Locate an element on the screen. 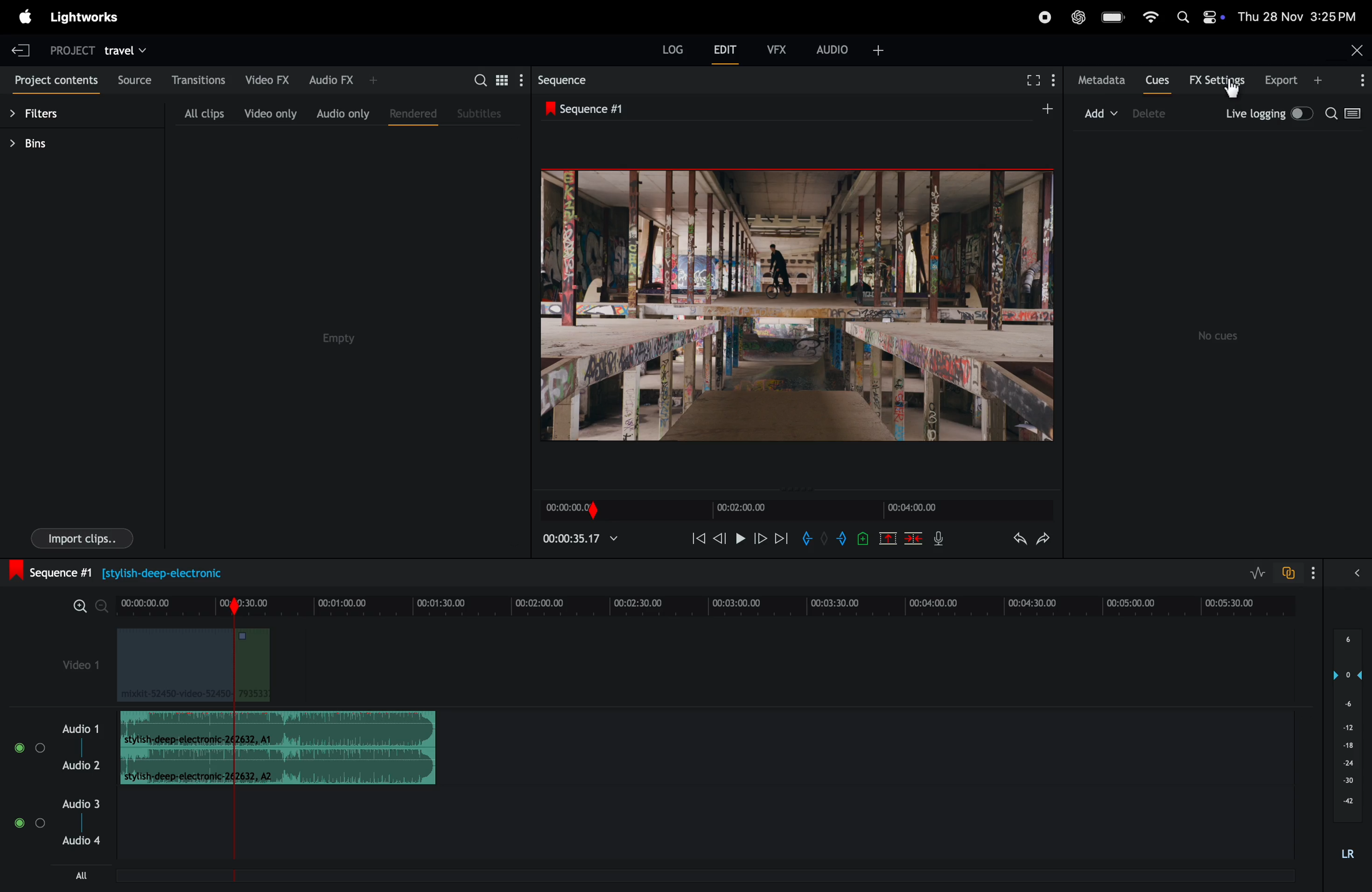 The width and height of the screenshot is (1372, 892). redo is located at coordinates (1046, 539).